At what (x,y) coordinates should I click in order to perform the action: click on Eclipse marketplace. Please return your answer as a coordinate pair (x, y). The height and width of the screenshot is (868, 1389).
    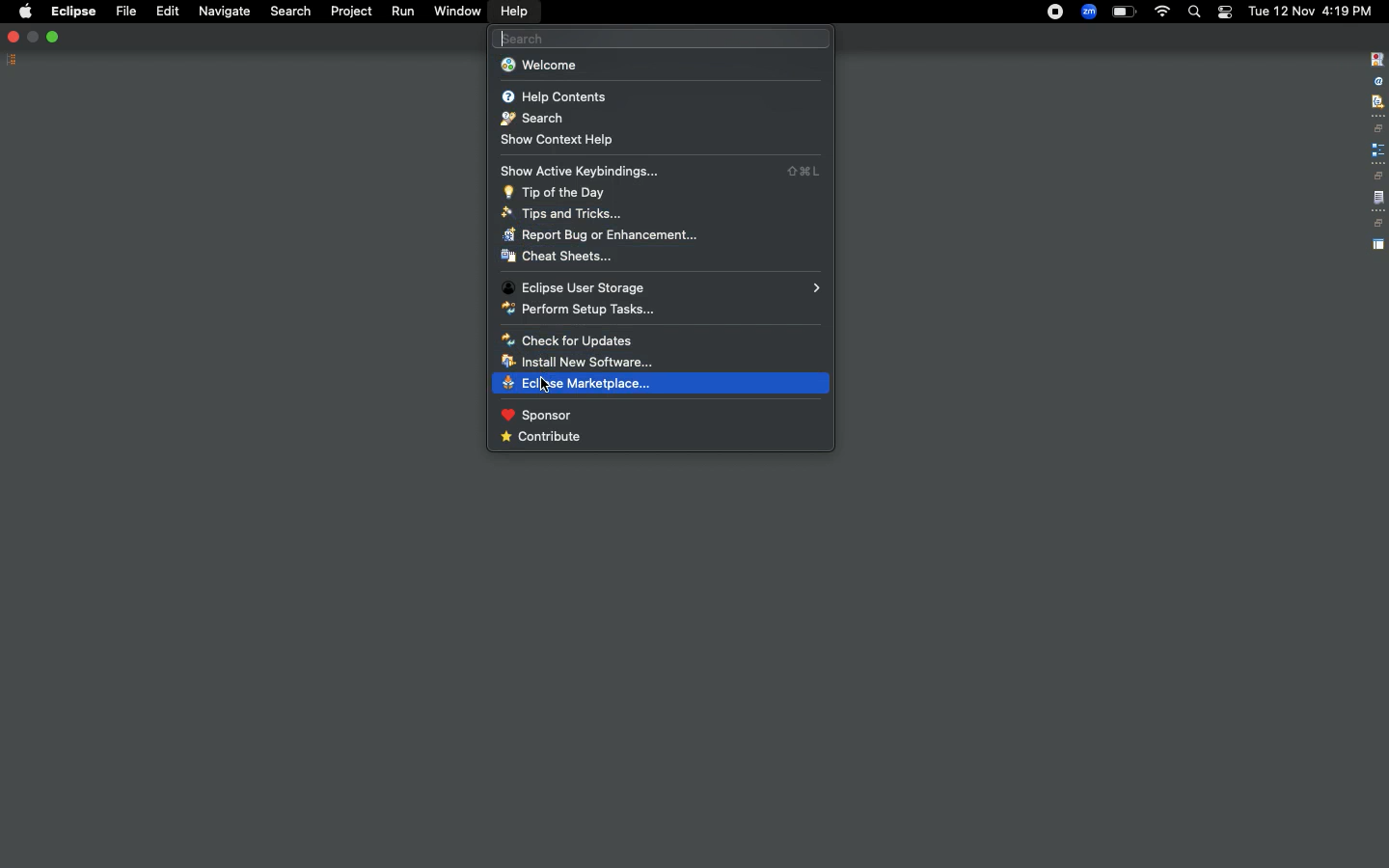
    Looking at the image, I should click on (584, 383).